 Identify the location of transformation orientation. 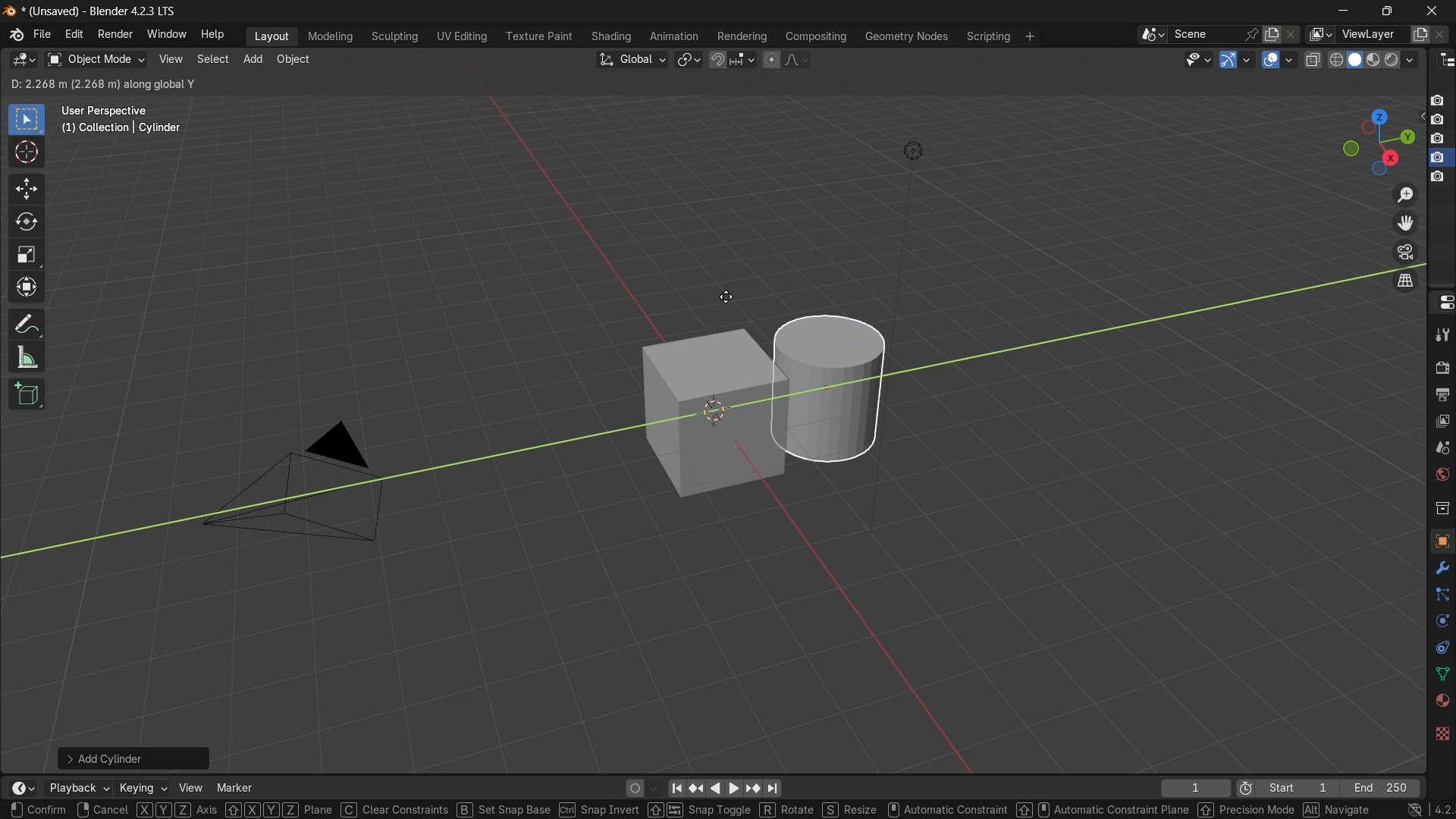
(632, 59).